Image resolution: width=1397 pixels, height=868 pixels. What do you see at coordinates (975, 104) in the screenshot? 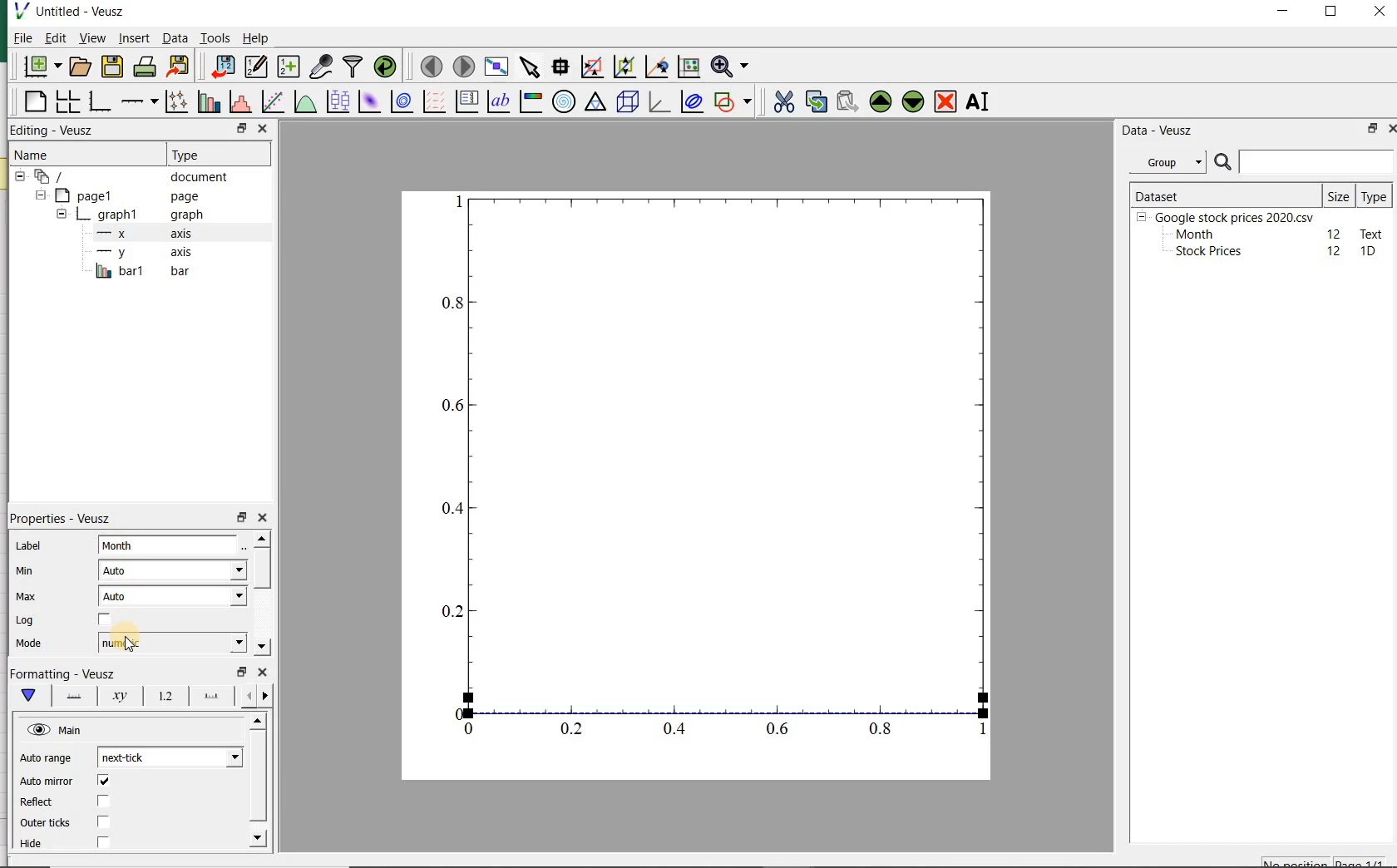
I see `renames the selected widget` at bounding box center [975, 104].